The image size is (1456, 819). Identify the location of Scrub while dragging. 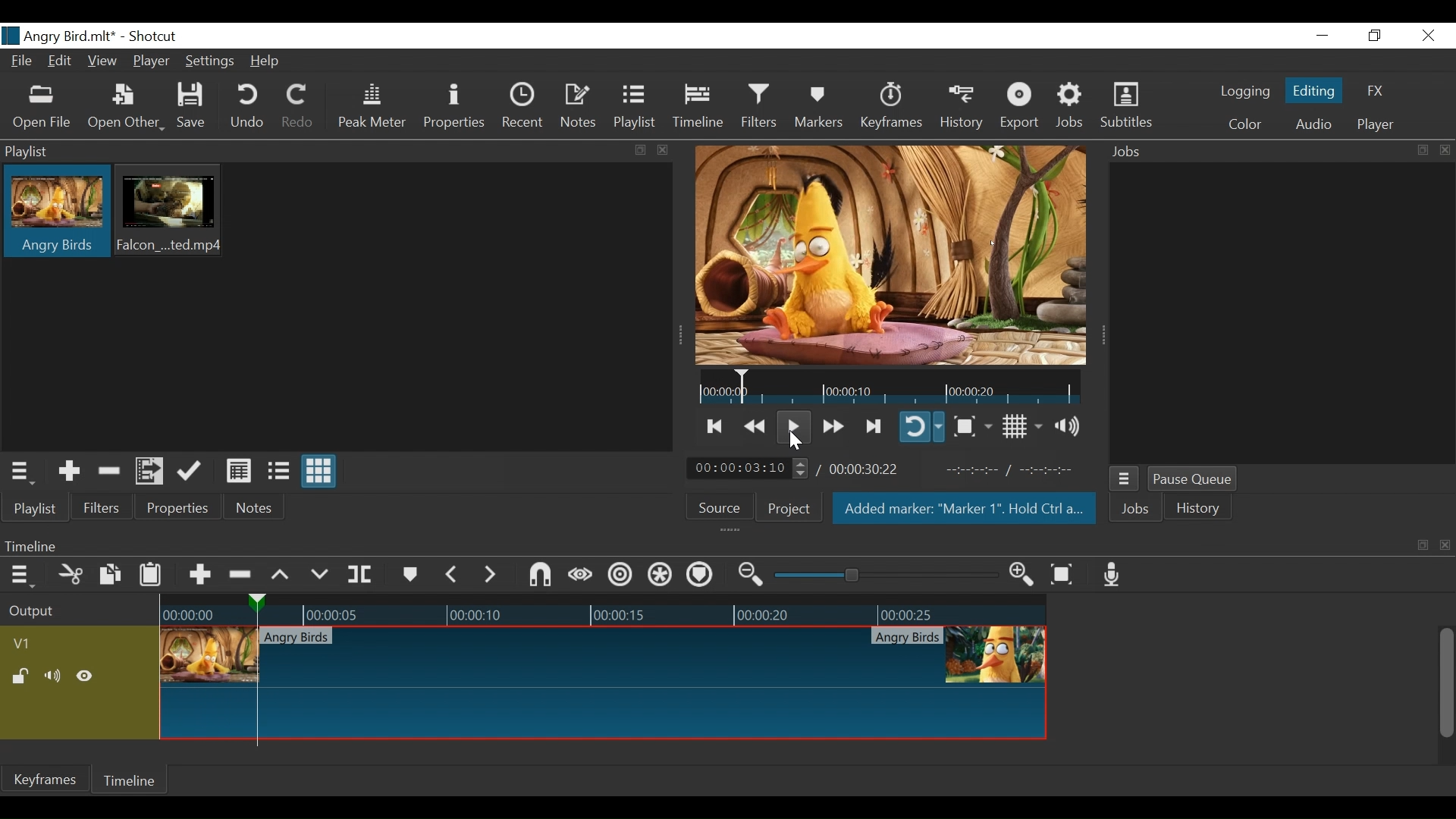
(577, 574).